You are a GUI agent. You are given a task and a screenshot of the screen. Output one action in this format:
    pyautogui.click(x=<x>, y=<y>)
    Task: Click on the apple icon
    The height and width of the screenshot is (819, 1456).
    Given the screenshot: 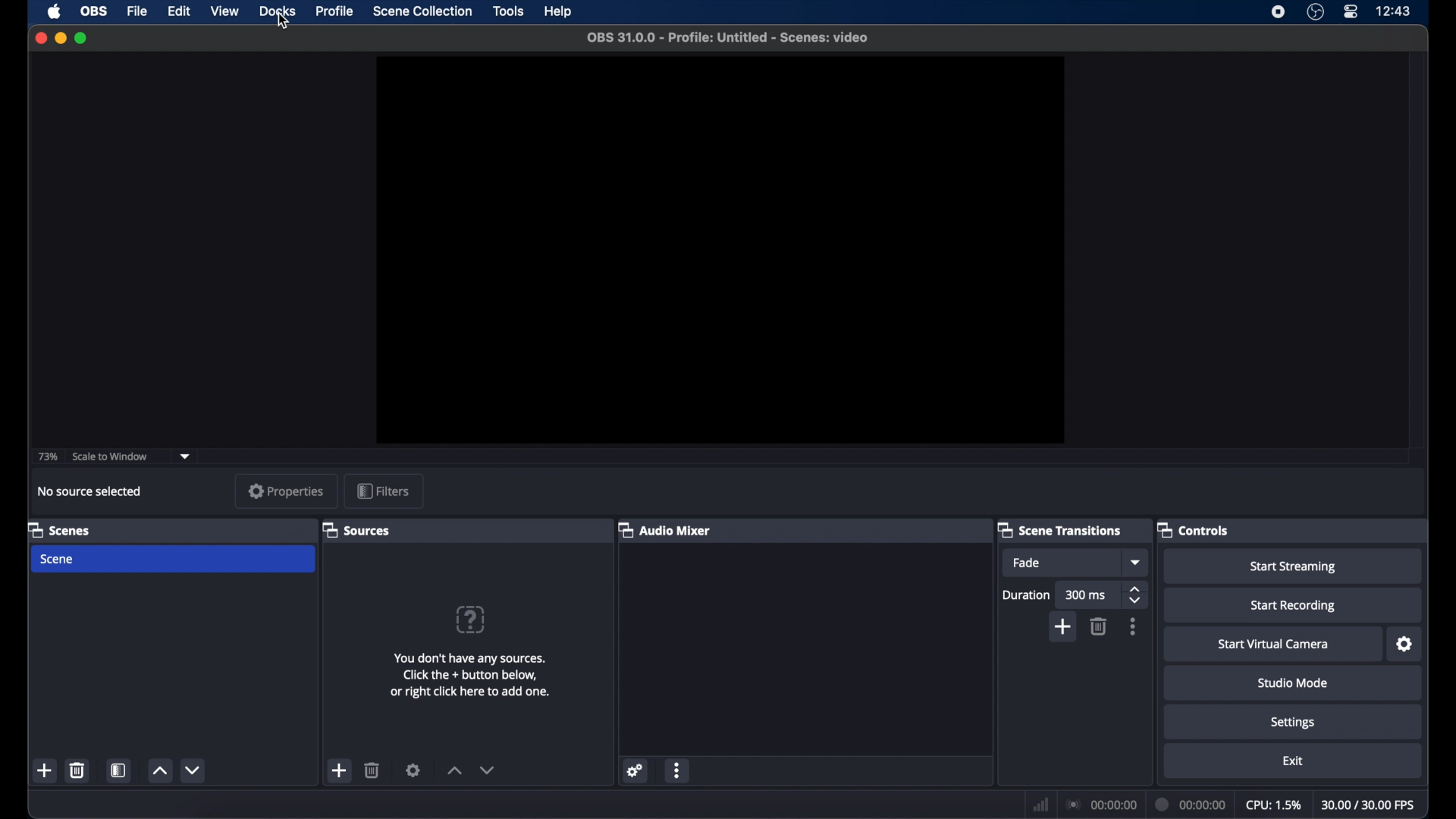 What is the action you would take?
    pyautogui.click(x=54, y=11)
    